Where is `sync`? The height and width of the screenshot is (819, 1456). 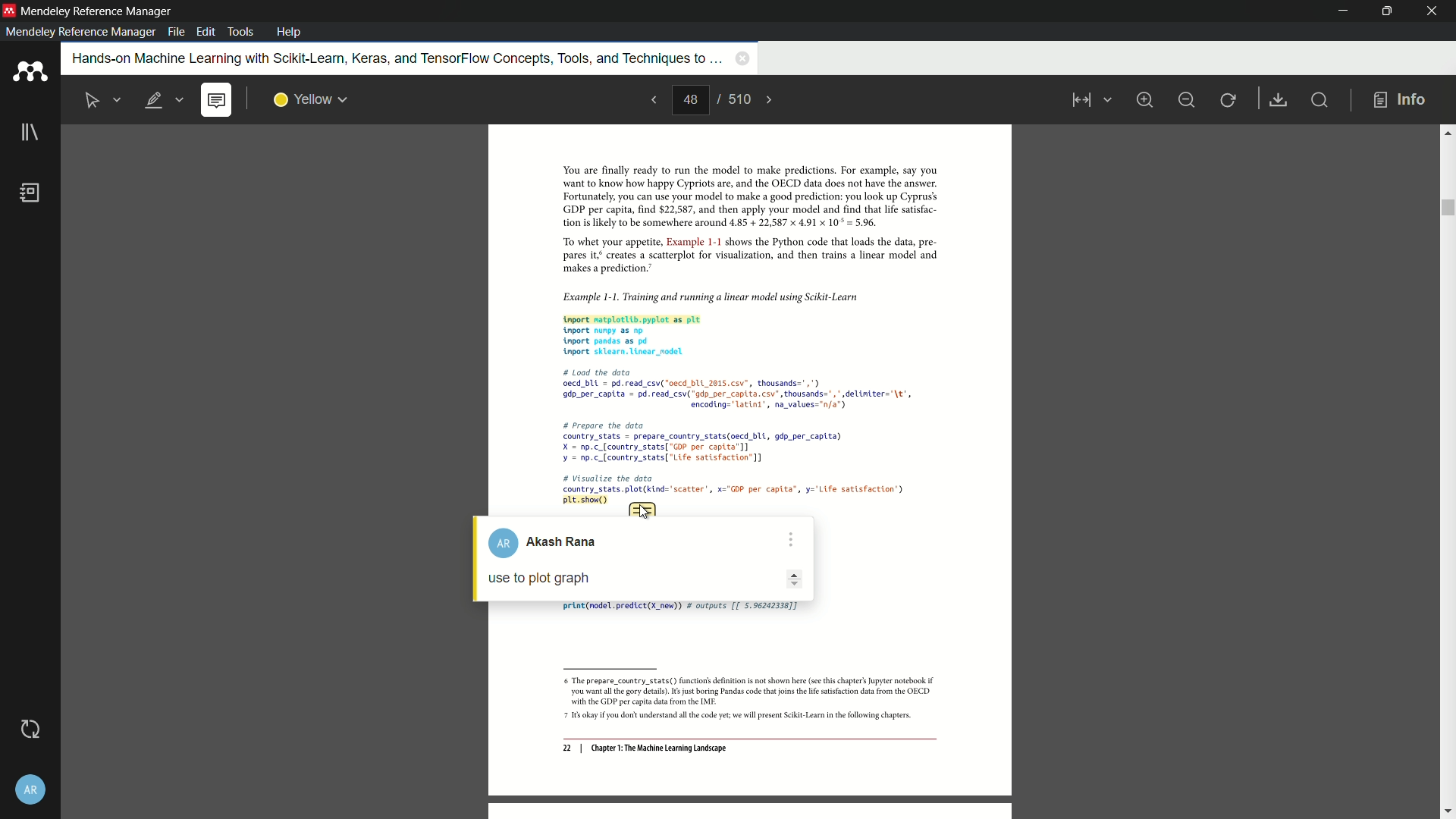 sync is located at coordinates (30, 729).